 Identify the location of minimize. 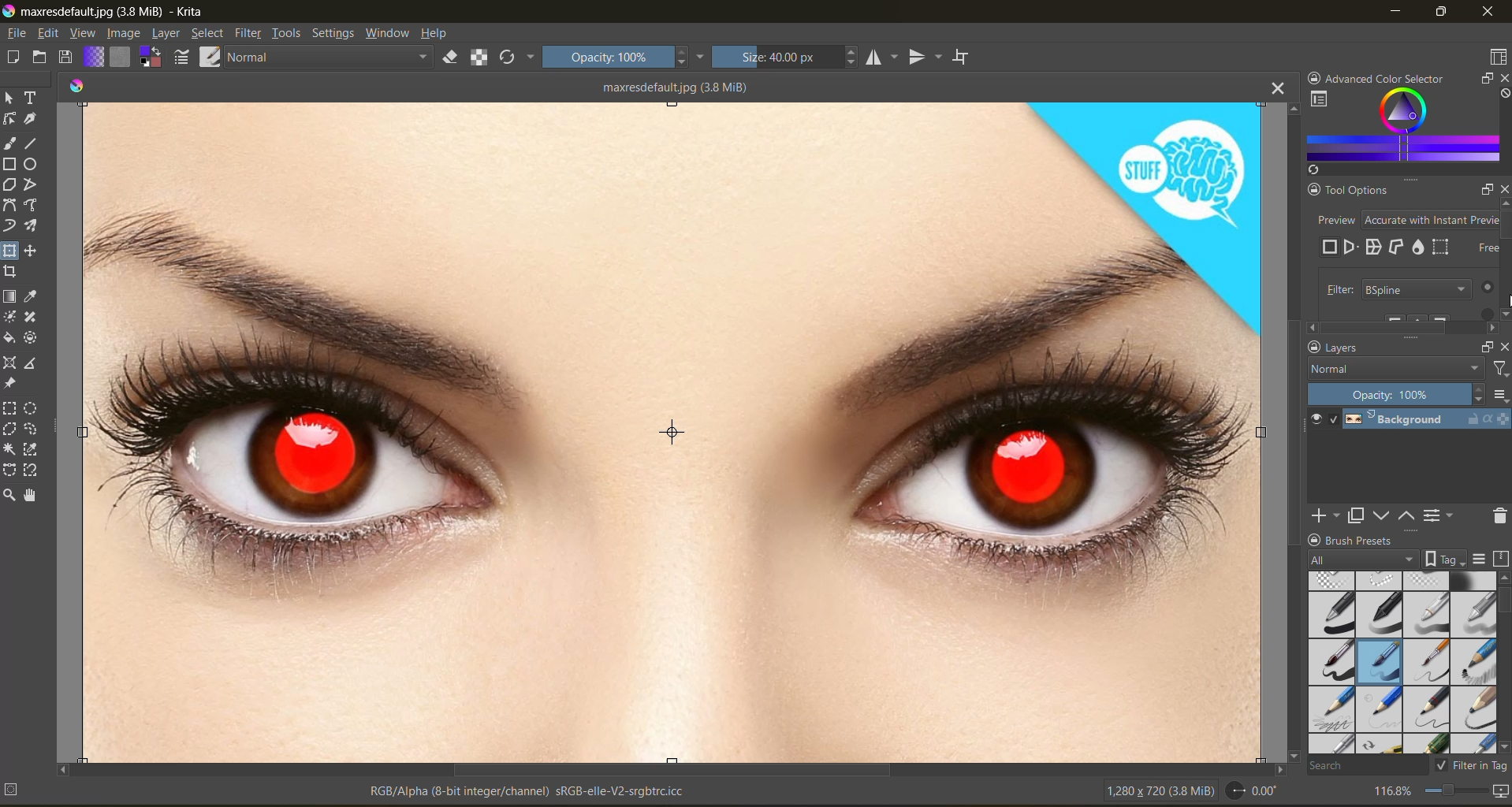
(1391, 14).